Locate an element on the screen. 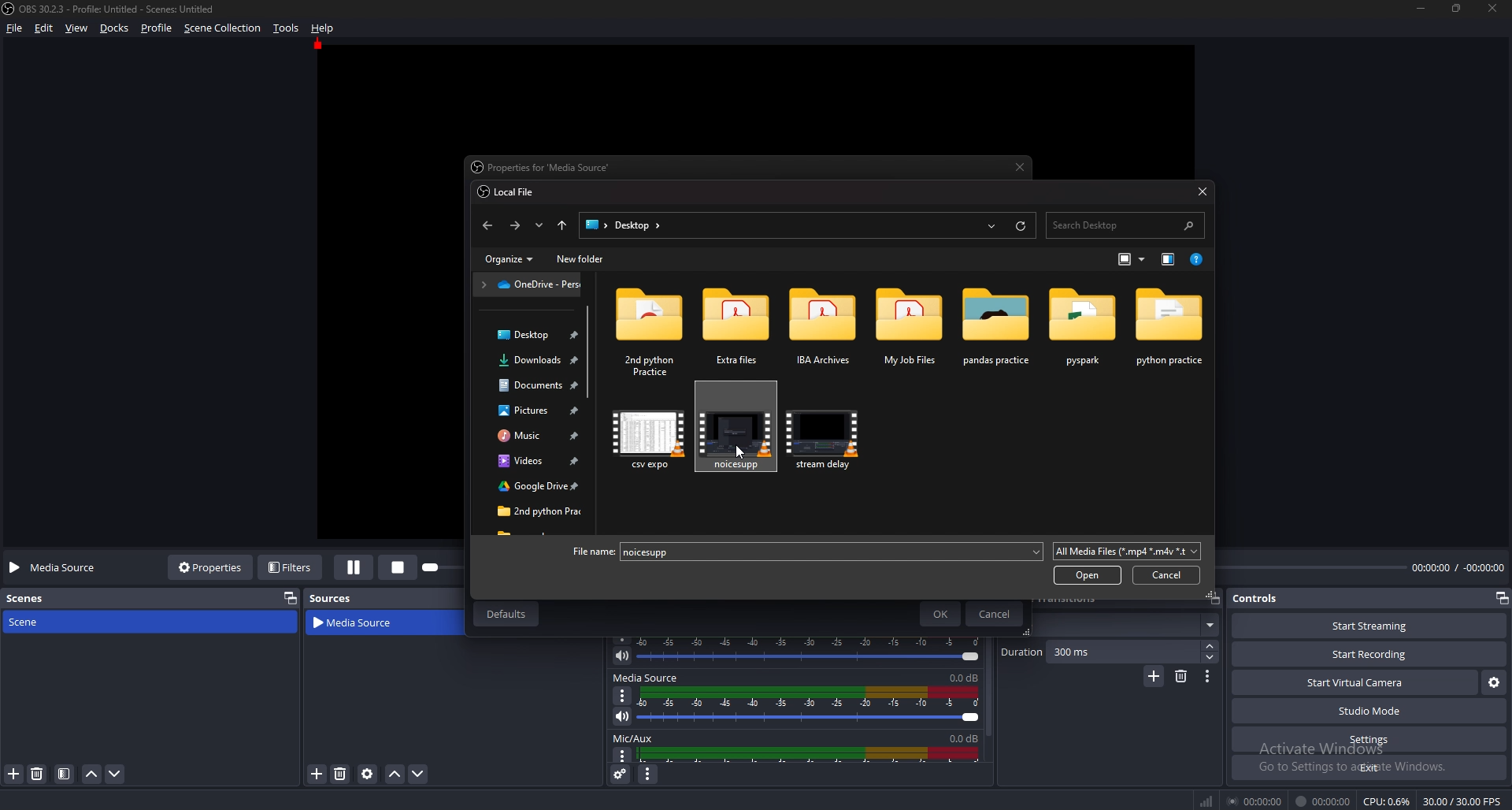 Image resolution: width=1512 pixels, height=810 pixels. back is located at coordinates (486, 225).